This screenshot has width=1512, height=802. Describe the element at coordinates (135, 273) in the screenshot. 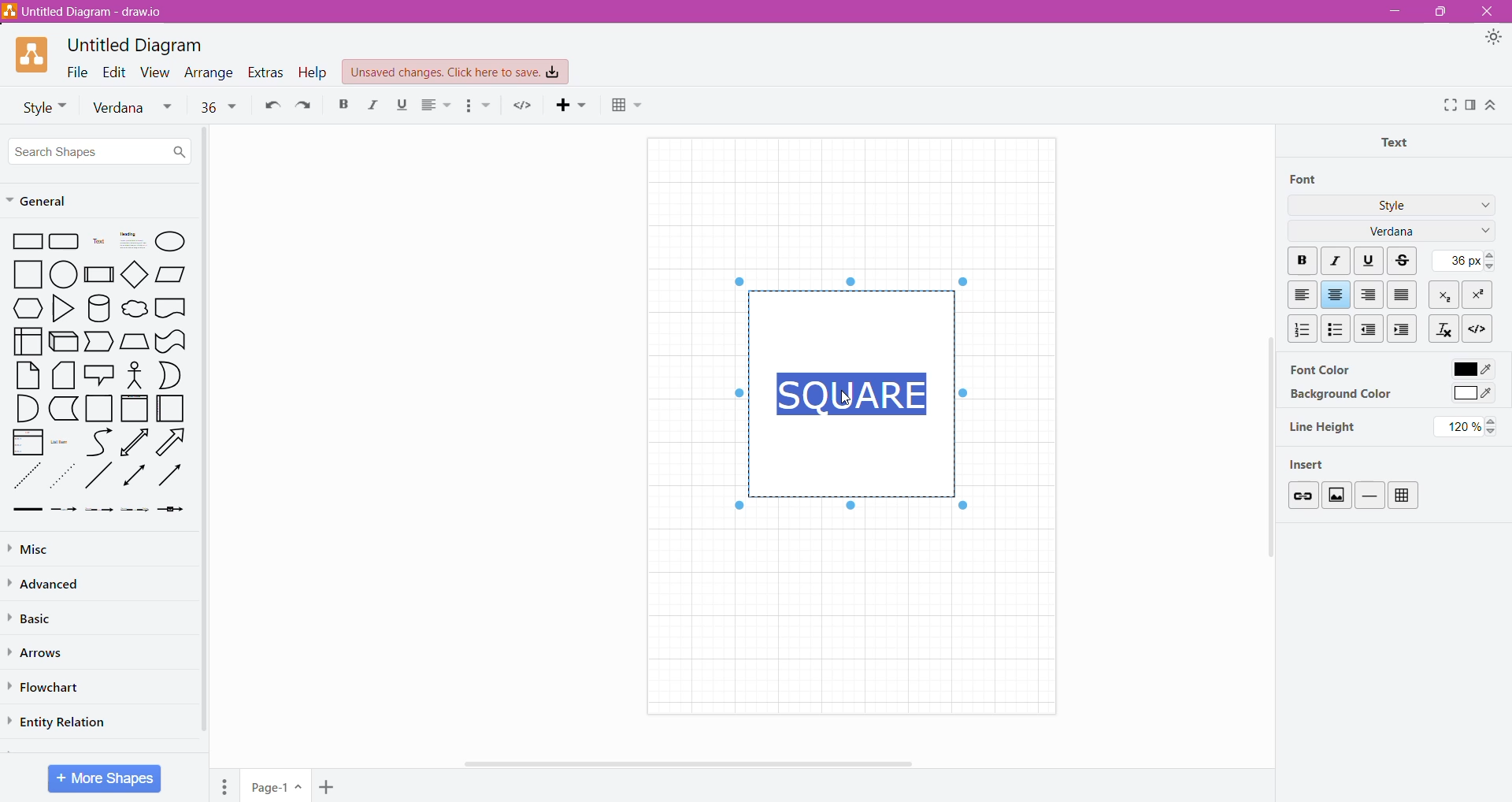

I see `Diamond` at that location.